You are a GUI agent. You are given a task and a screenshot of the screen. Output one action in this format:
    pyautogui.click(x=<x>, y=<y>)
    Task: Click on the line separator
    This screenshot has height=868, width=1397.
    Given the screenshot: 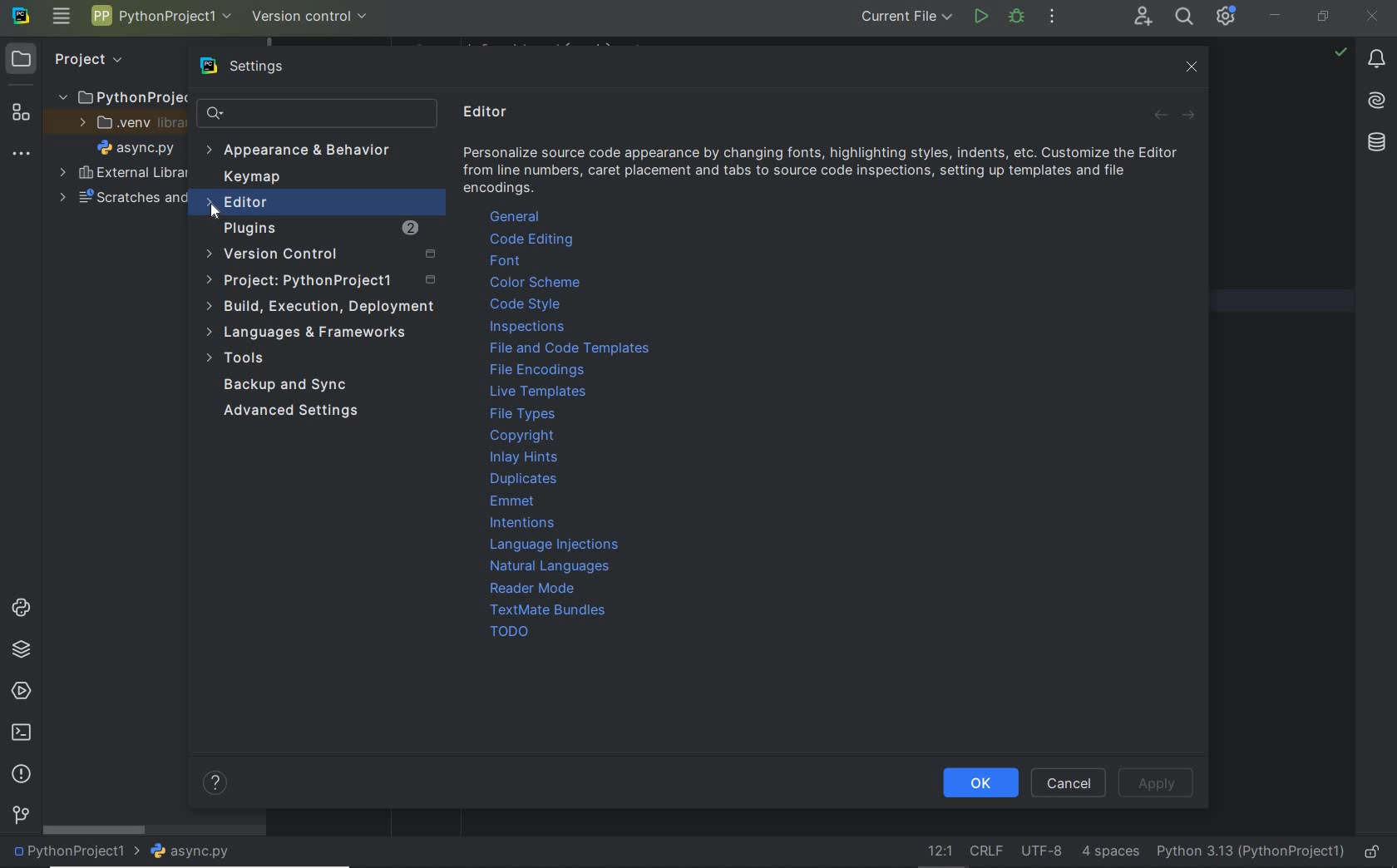 What is the action you would take?
    pyautogui.click(x=987, y=852)
    